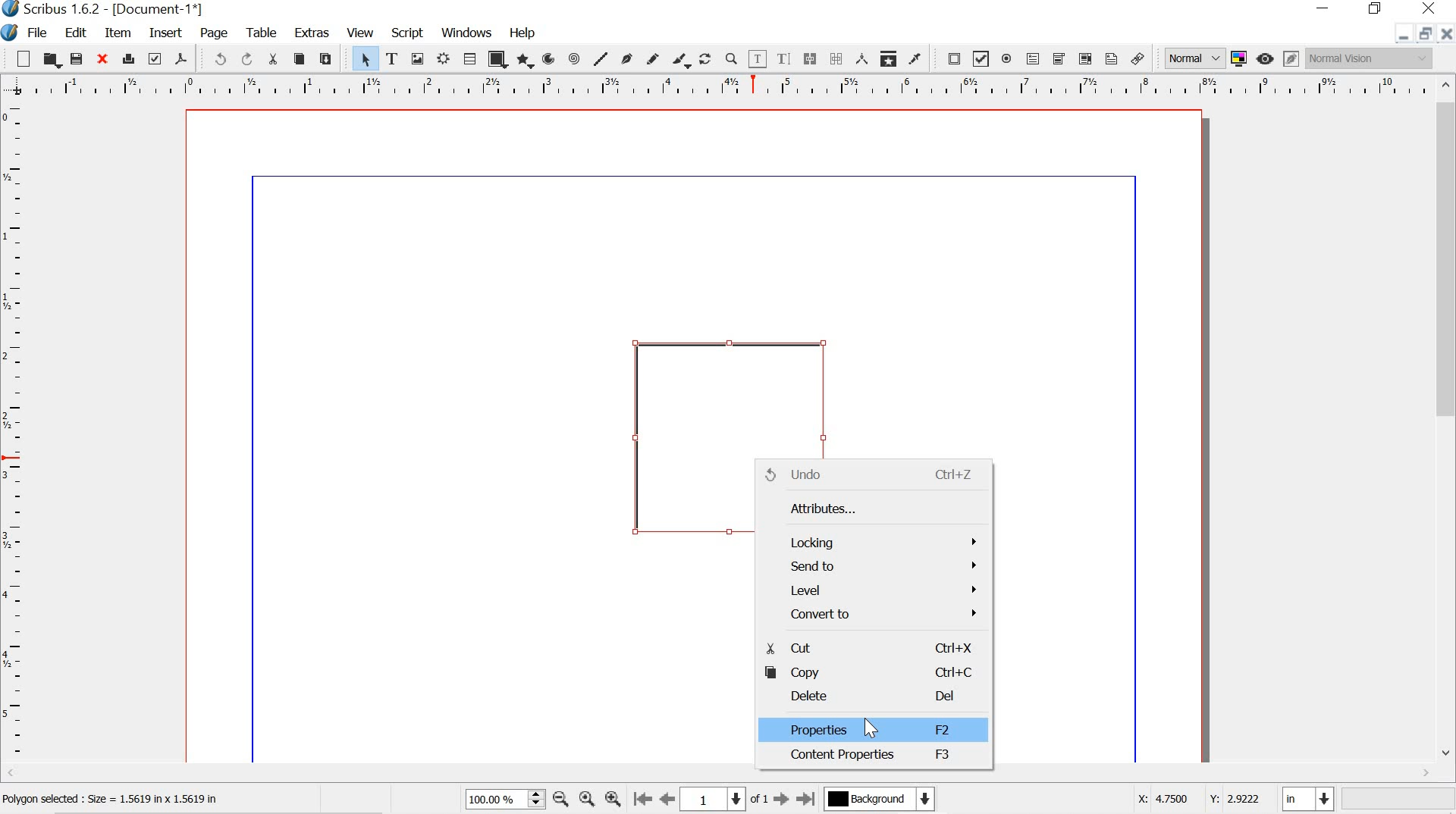 Image resolution: width=1456 pixels, height=814 pixels. I want to click on shape, so click(497, 58).